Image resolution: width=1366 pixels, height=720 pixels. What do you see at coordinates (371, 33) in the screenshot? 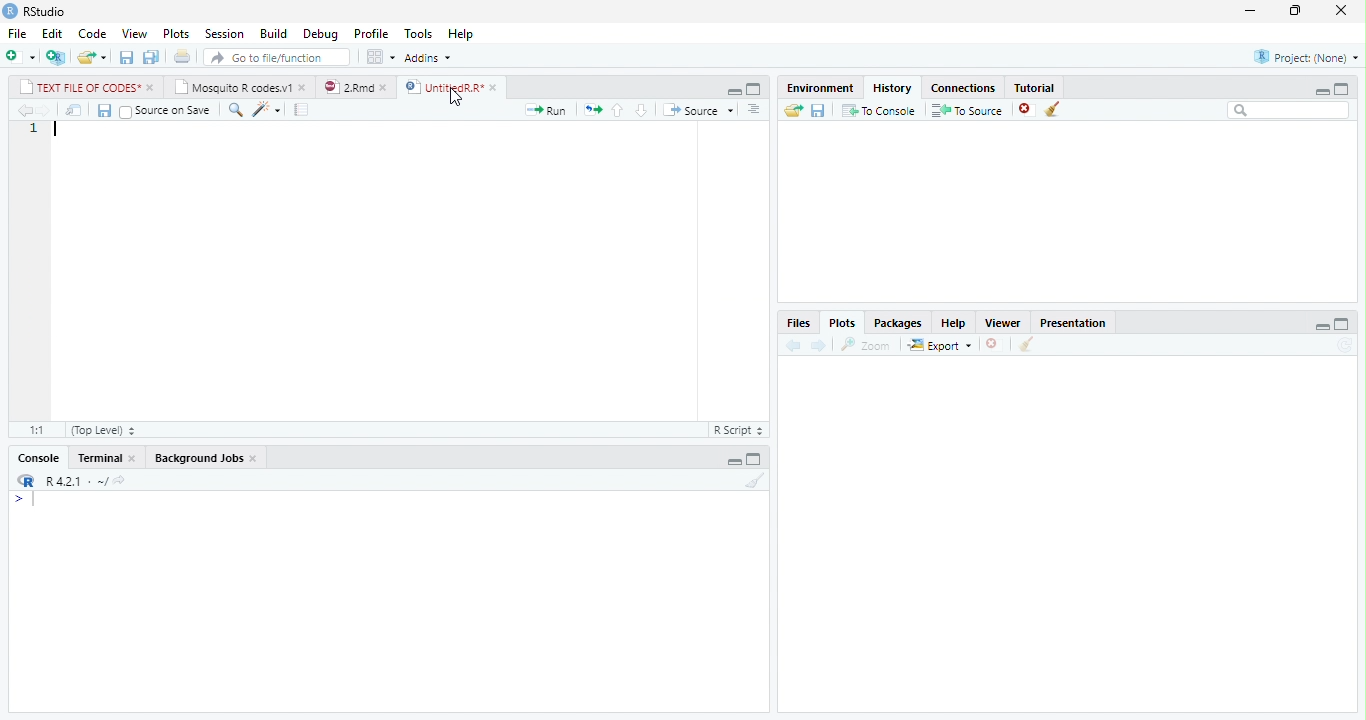
I see `Profile` at bounding box center [371, 33].